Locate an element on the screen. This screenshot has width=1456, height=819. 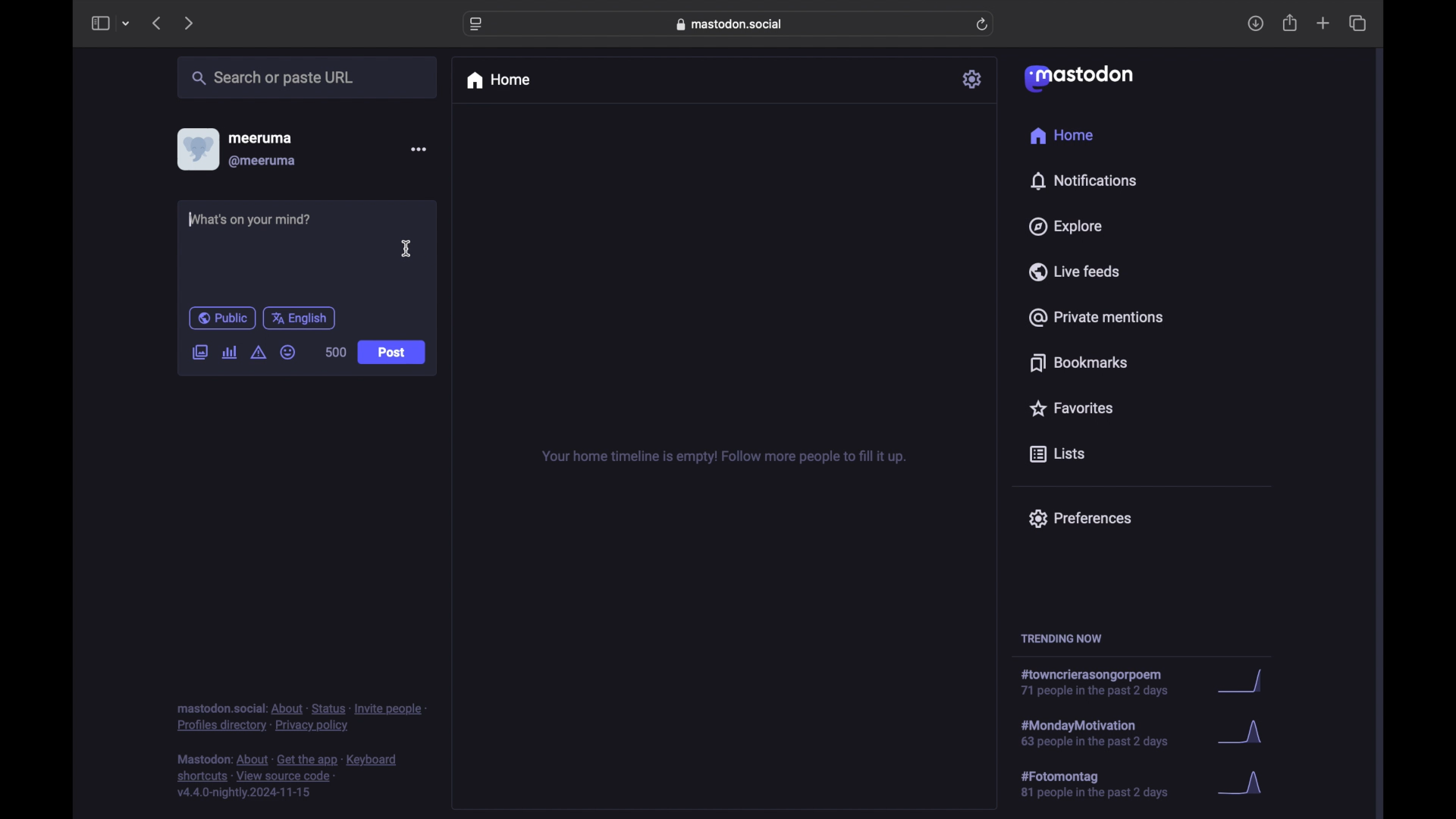
bookmarks is located at coordinates (1081, 362).